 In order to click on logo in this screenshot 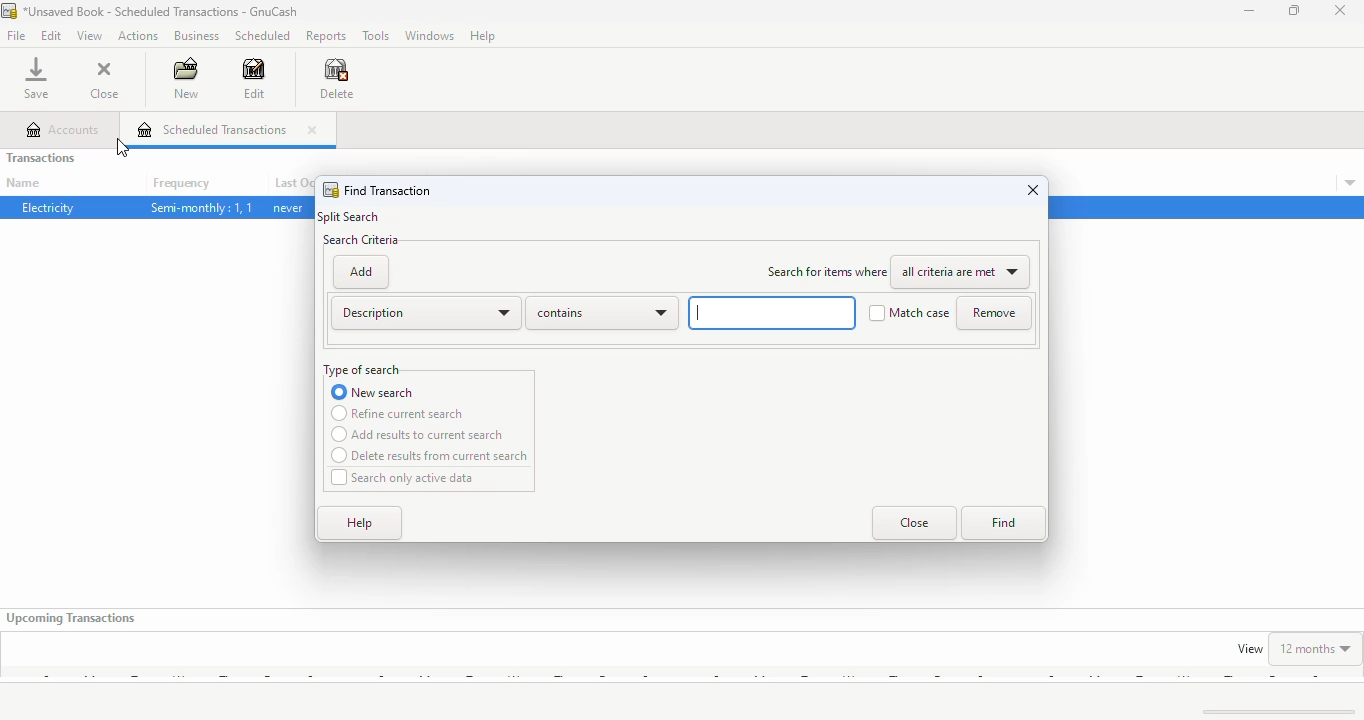, I will do `click(330, 190)`.